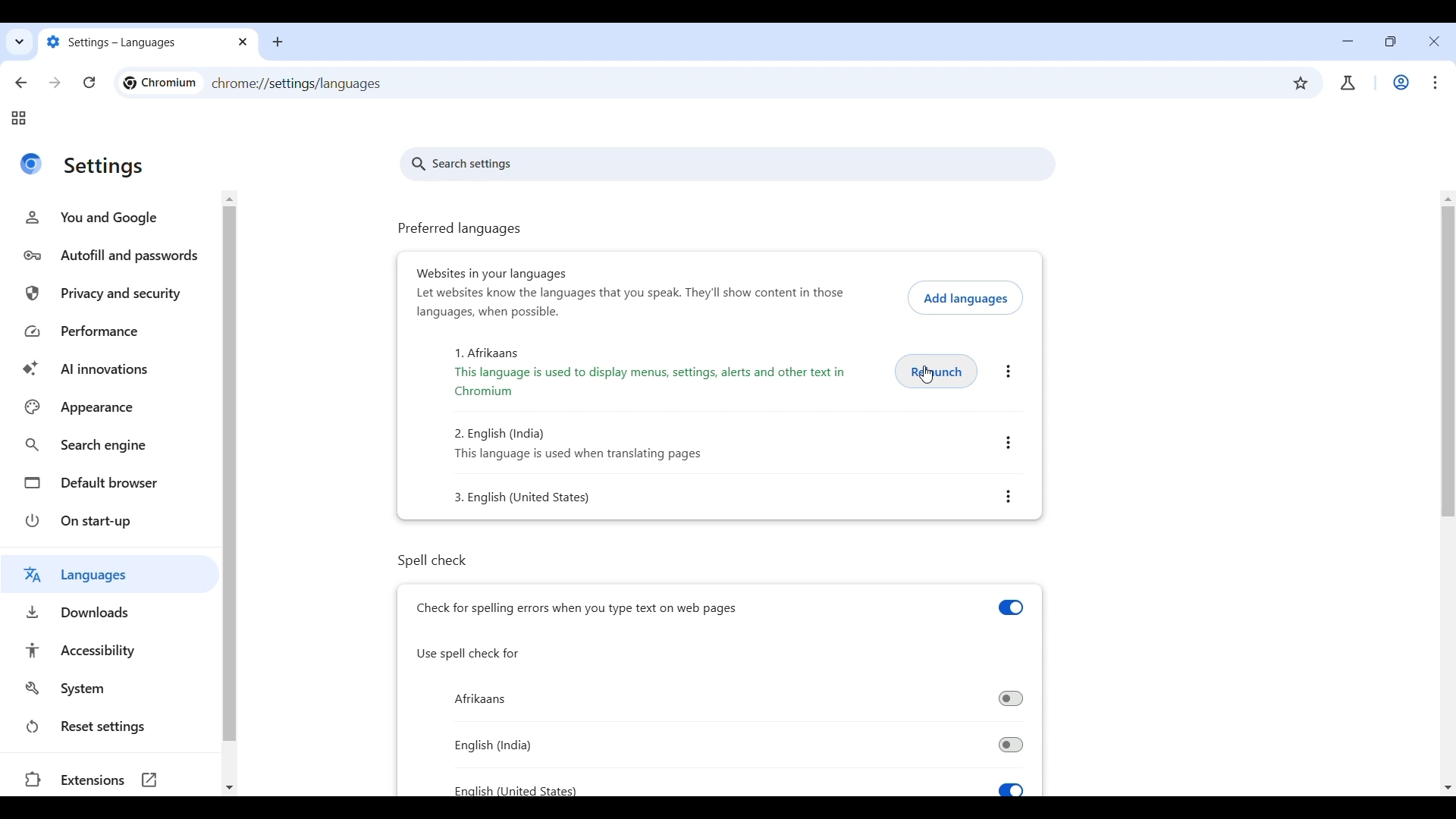 The image size is (1456, 819). What do you see at coordinates (22, 83) in the screenshot?
I see `Go back` at bounding box center [22, 83].